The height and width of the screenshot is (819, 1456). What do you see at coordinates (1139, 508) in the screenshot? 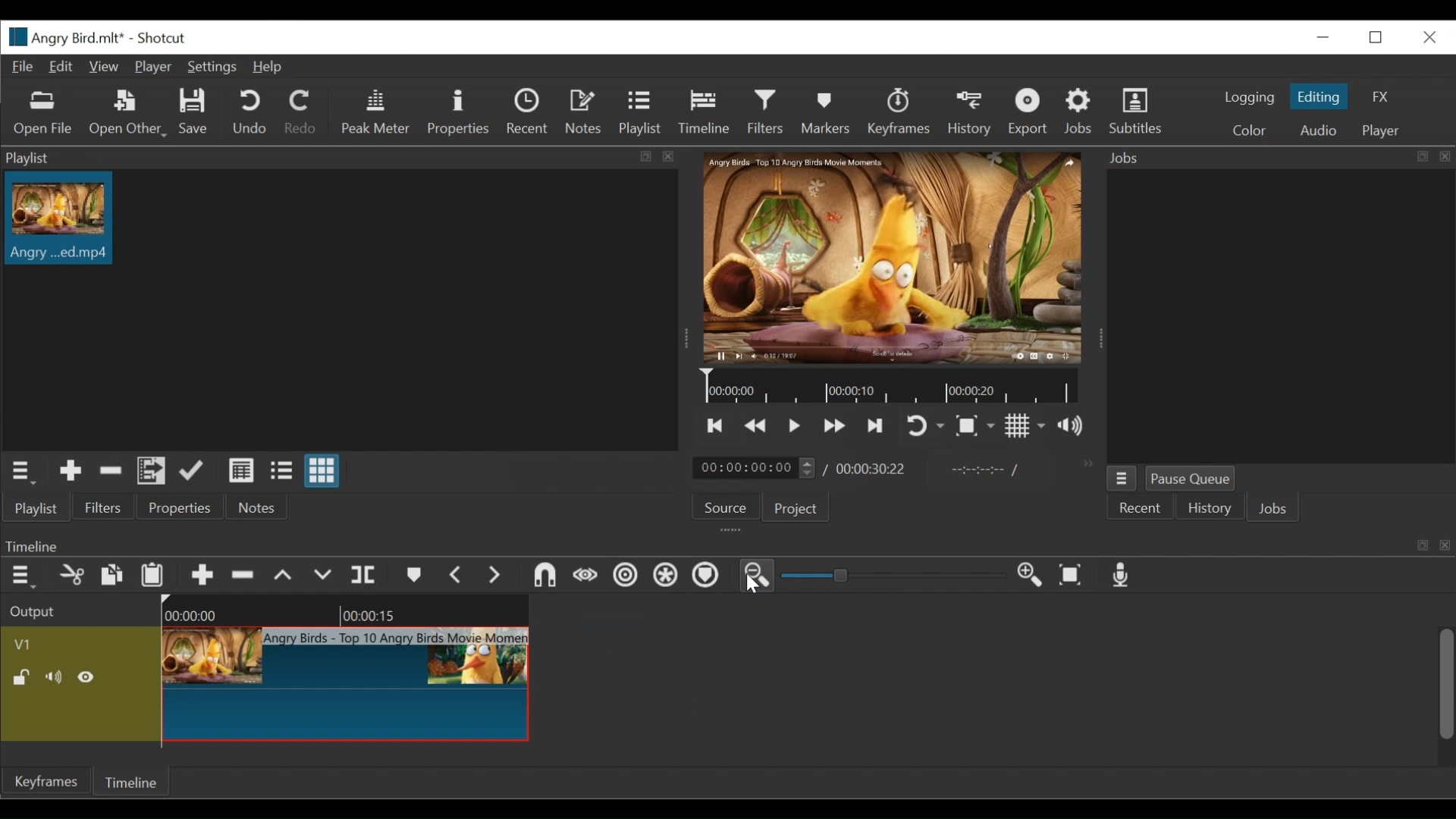
I see `Recent` at bounding box center [1139, 508].